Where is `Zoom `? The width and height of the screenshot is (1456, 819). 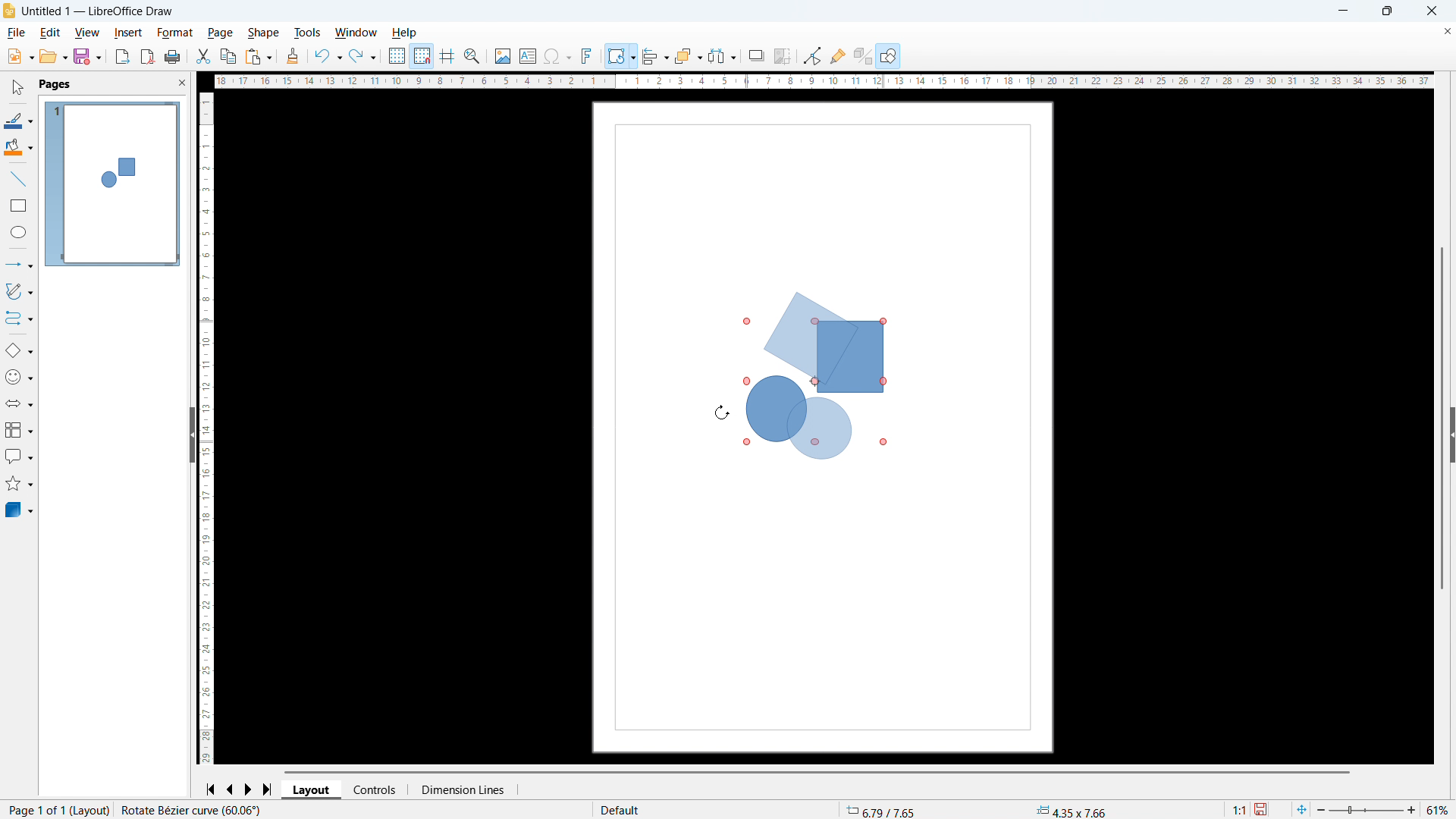
Zoom  is located at coordinates (472, 57).